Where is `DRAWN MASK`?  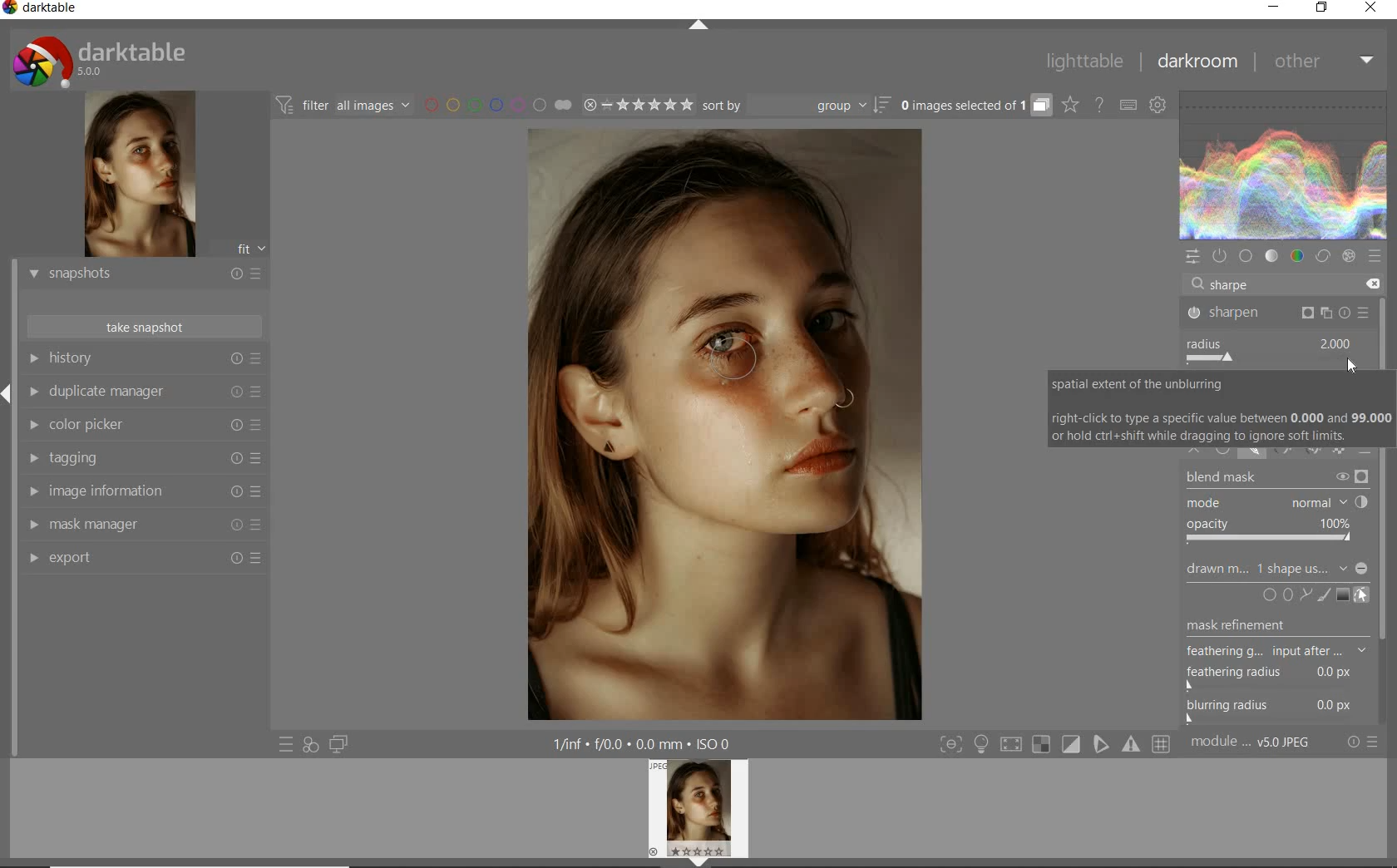
DRAWN MASK is located at coordinates (1275, 569).